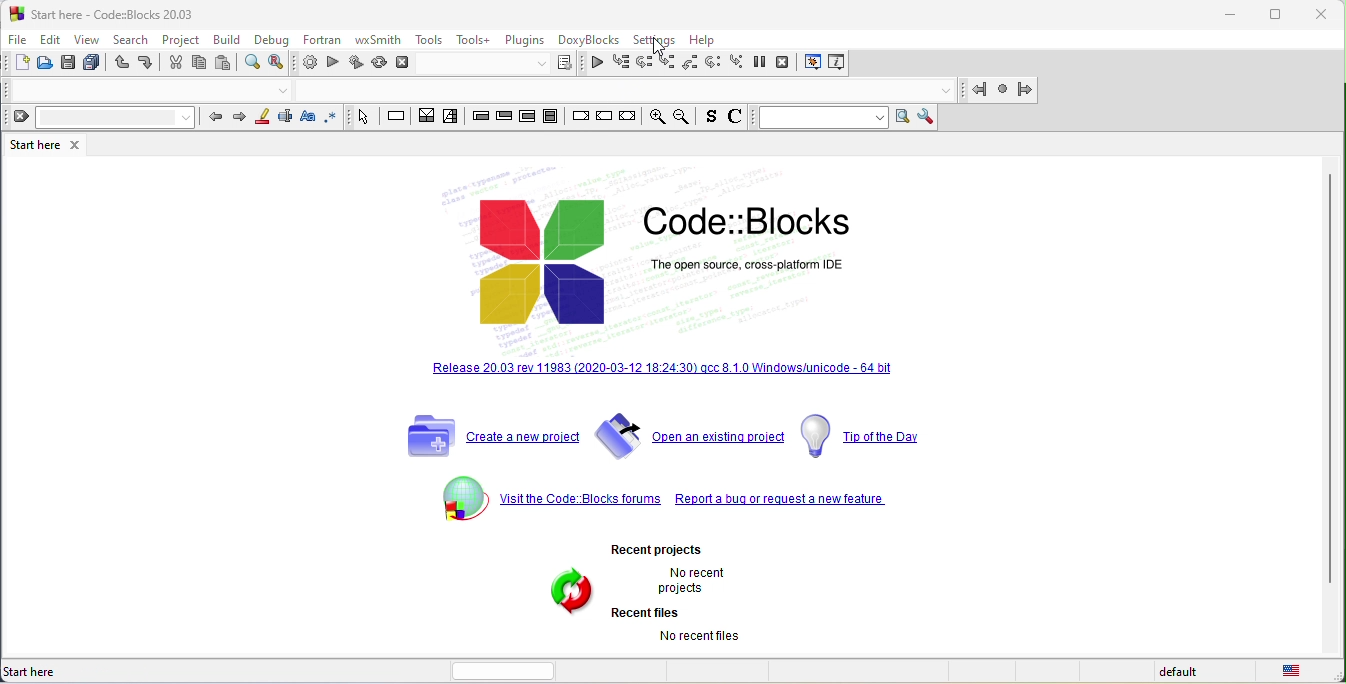 The image size is (1346, 684). Describe the element at coordinates (592, 41) in the screenshot. I see `doxyblocks` at that location.